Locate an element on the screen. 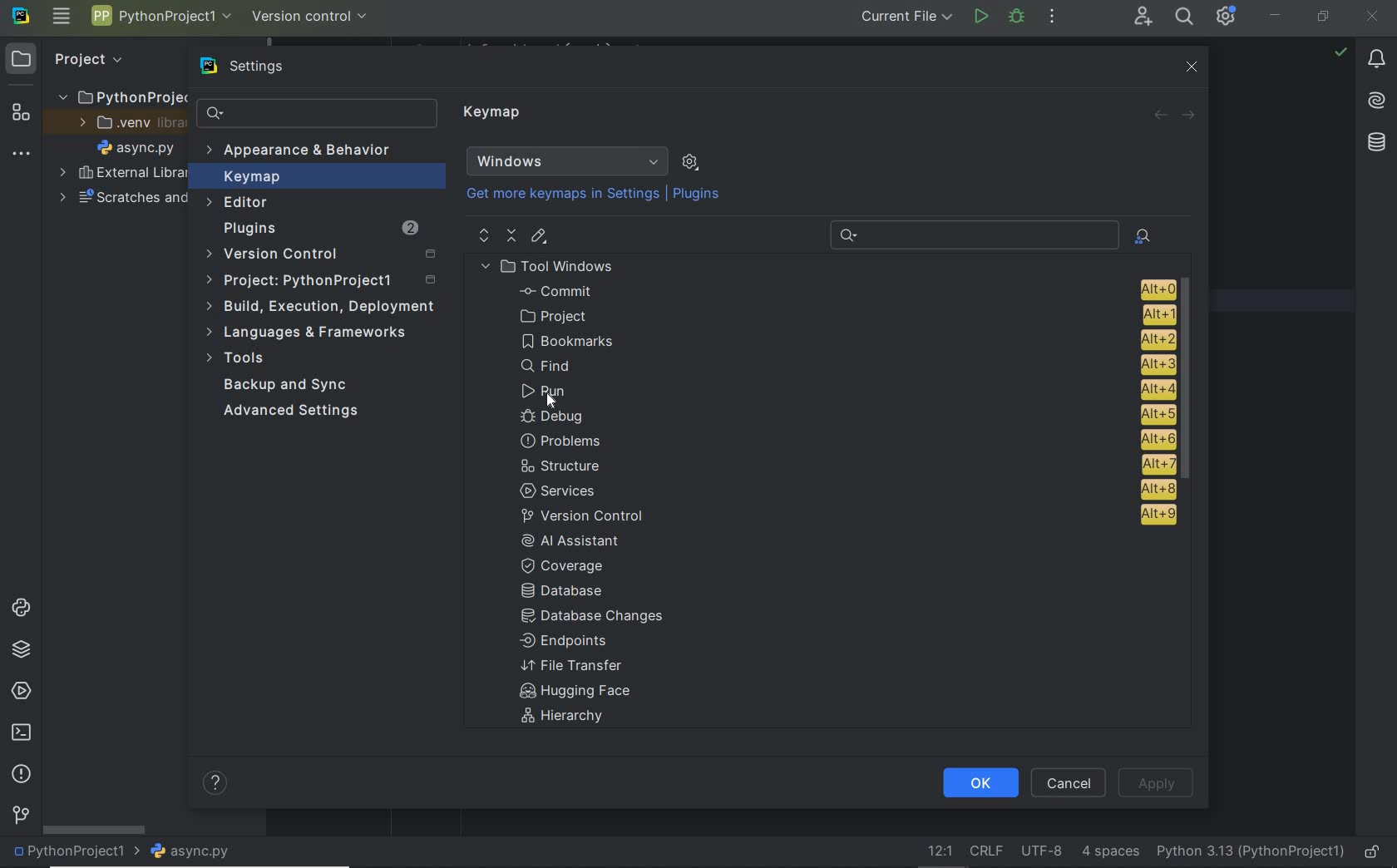  Get more keymaps in Settings is located at coordinates (555, 195).